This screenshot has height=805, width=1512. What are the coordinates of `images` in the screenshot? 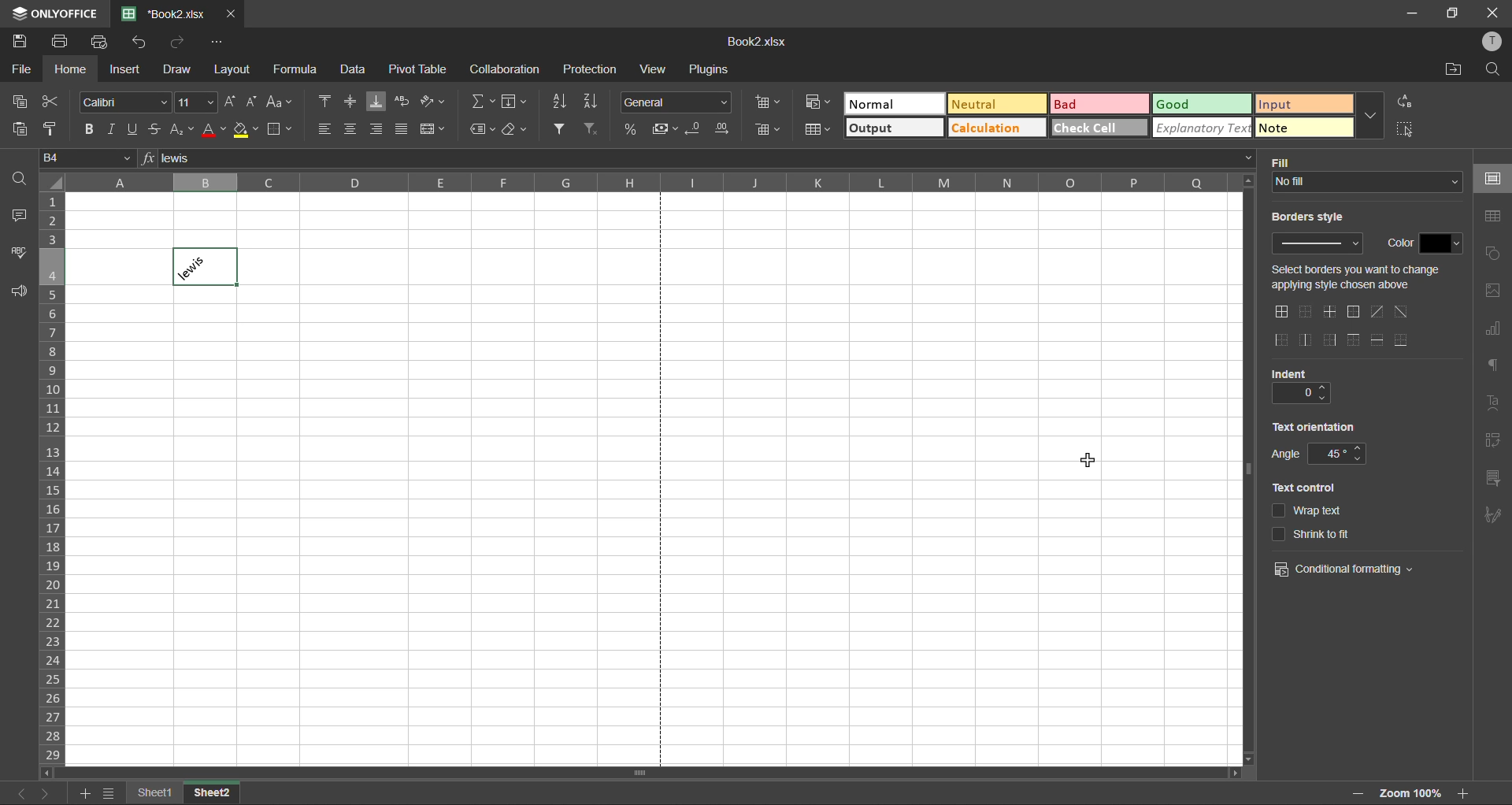 It's located at (1492, 291).